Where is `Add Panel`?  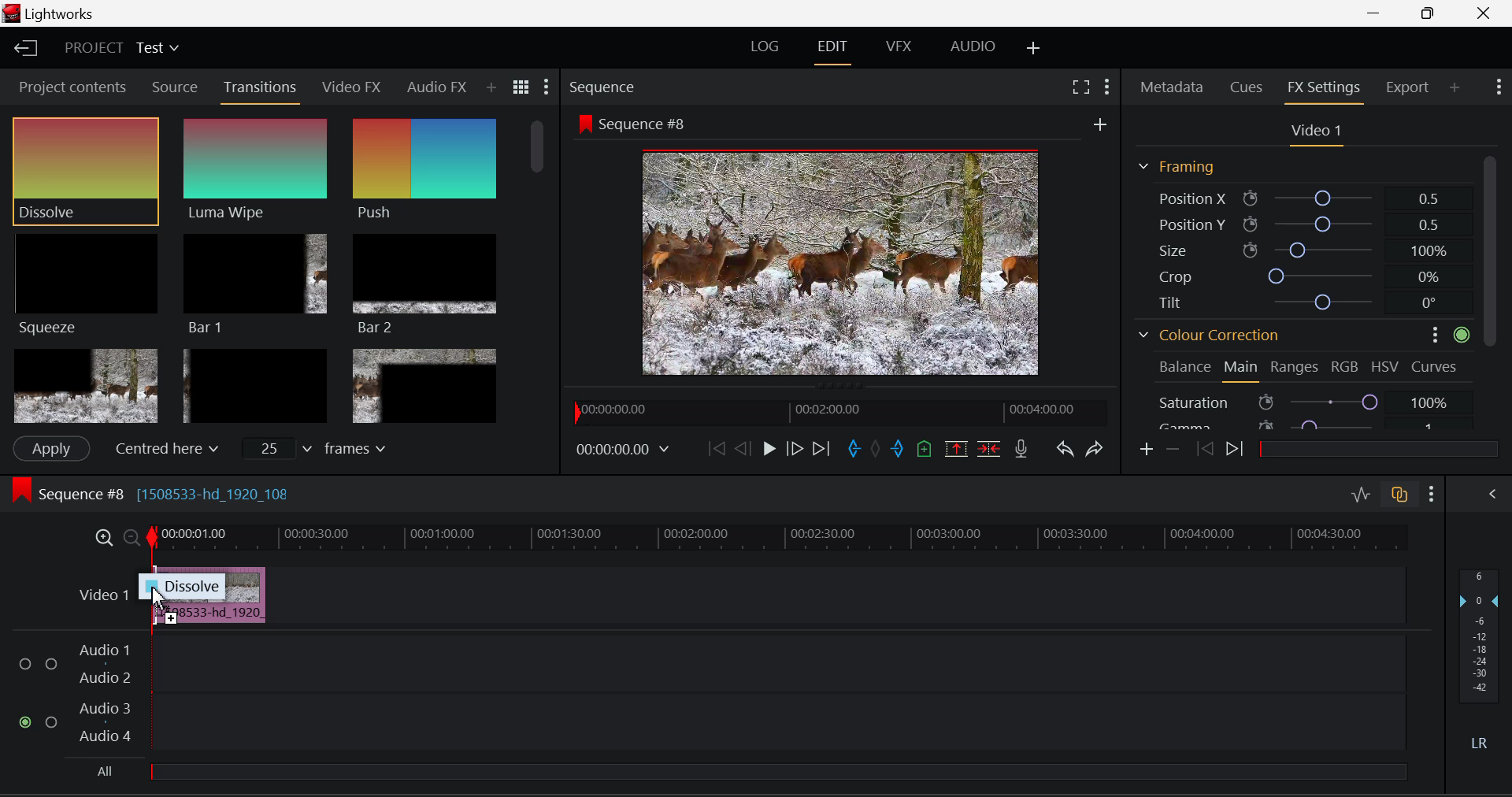 Add Panel is located at coordinates (1454, 85).